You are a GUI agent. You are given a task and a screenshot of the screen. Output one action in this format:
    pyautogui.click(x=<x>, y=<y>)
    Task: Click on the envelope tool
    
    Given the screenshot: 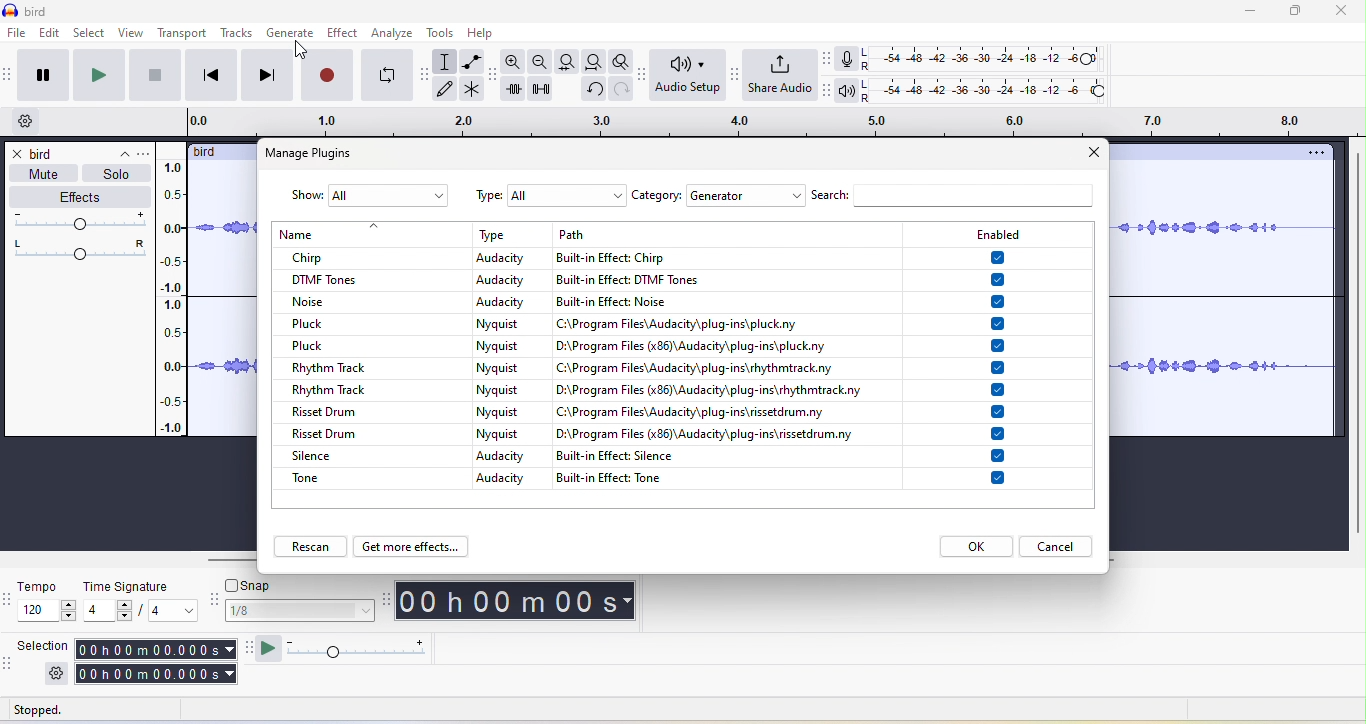 What is the action you would take?
    pyautogui.click(x=474, y=61)
    